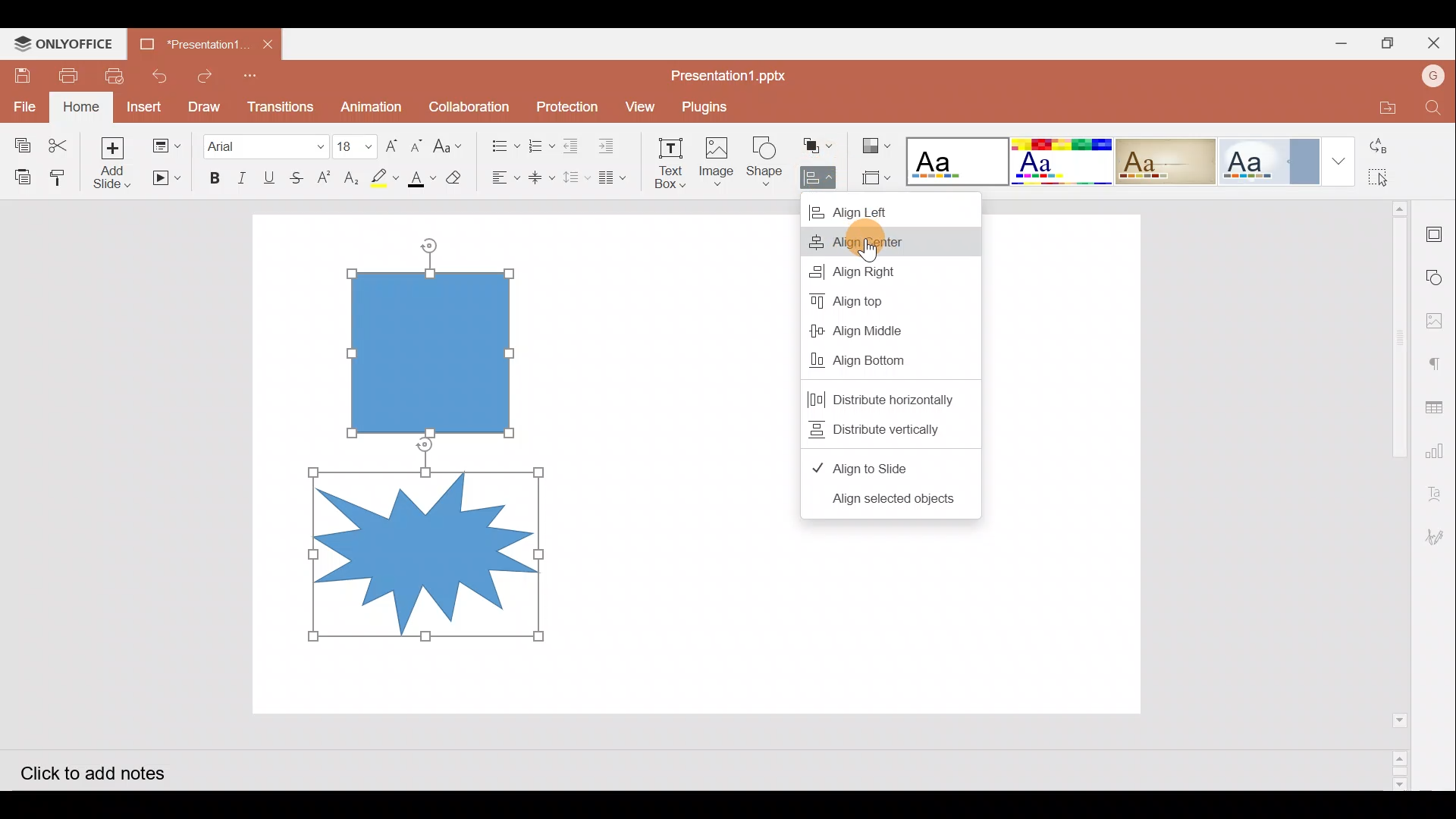 The width and height of the screenshot is (1456, 819). I want to click on Plugins, so click(715, 104).